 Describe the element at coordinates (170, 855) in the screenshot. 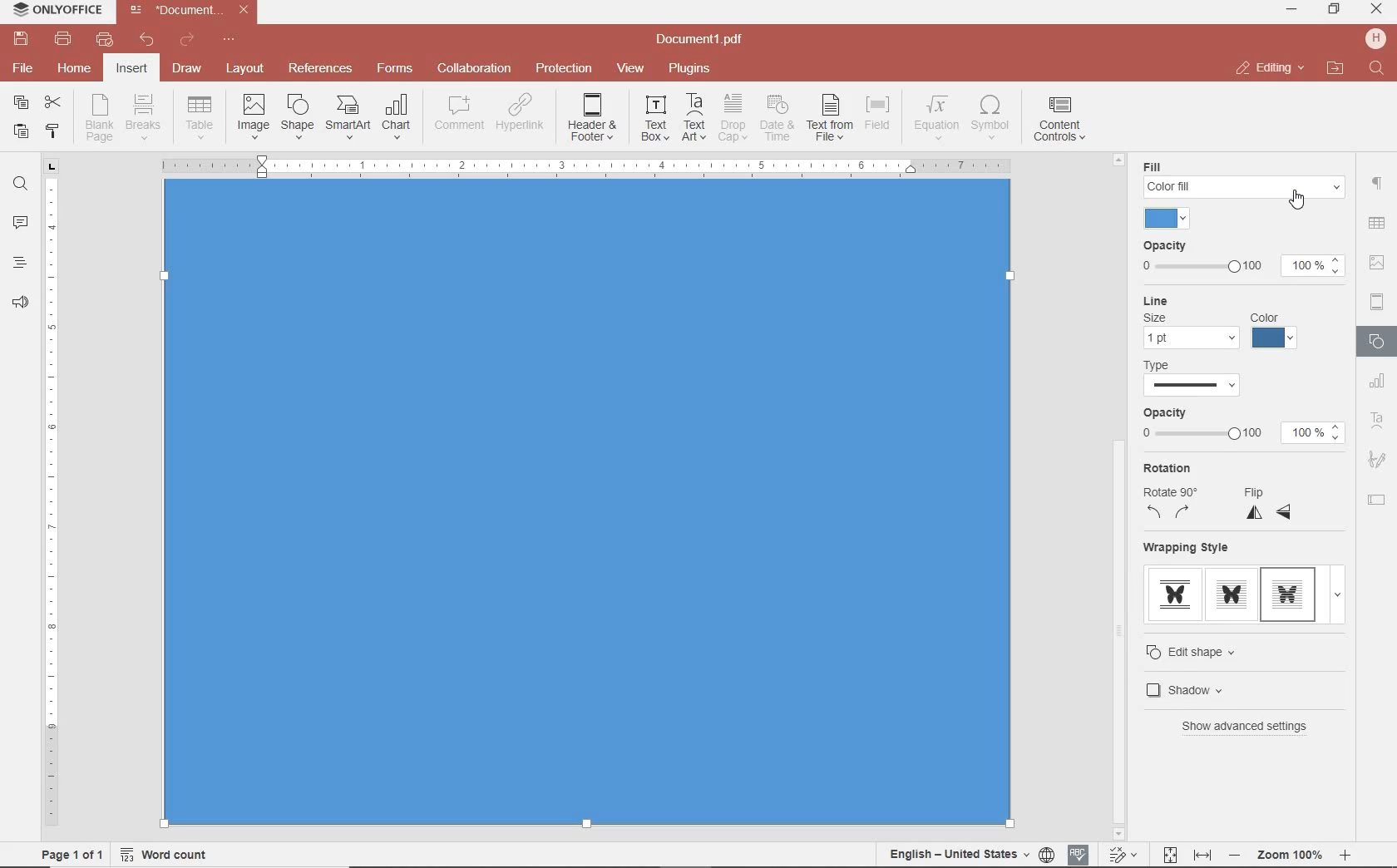

I see `word count` at that location.